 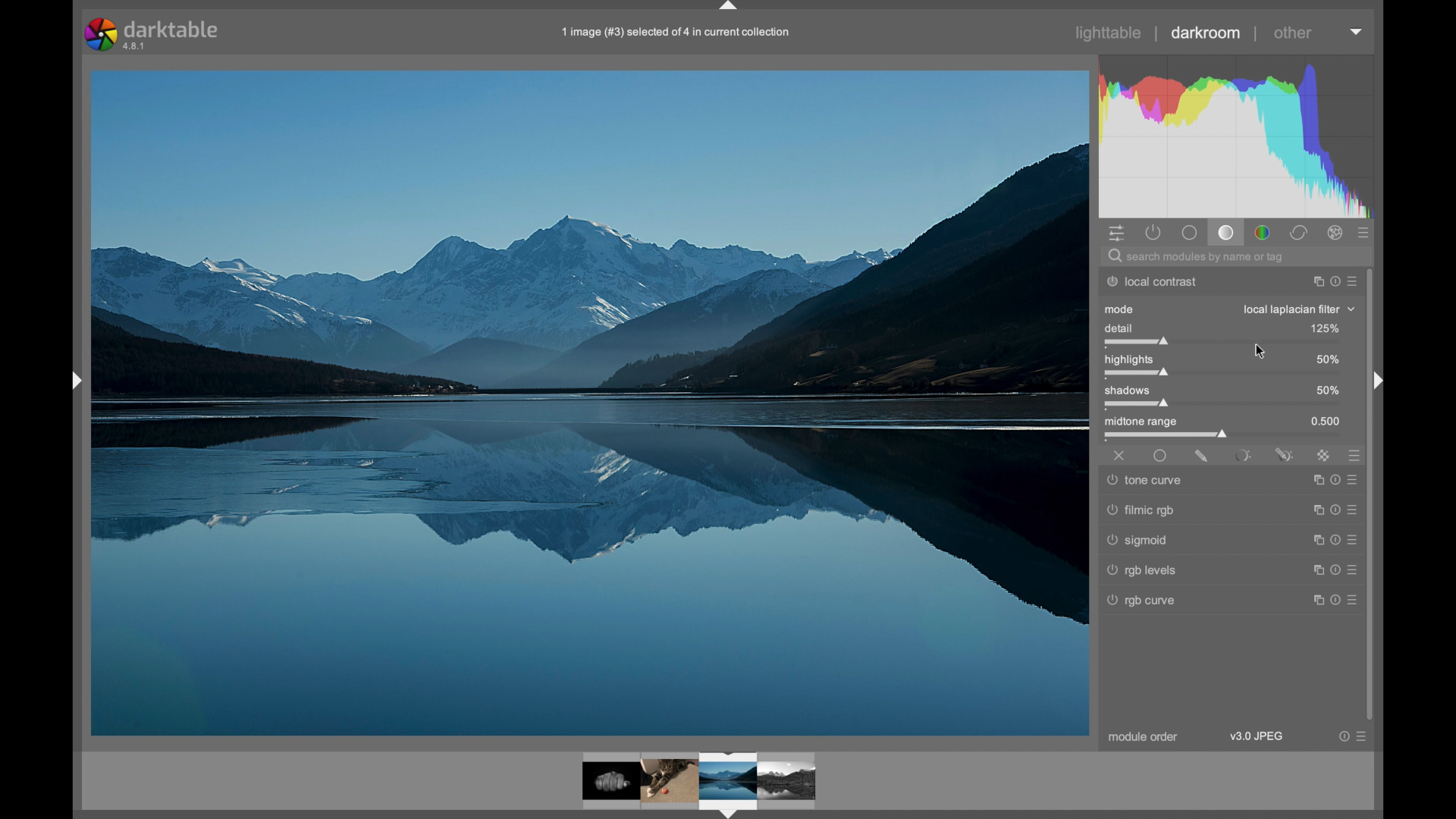 I want to click on darkroom, so click(x=1207, y=33).